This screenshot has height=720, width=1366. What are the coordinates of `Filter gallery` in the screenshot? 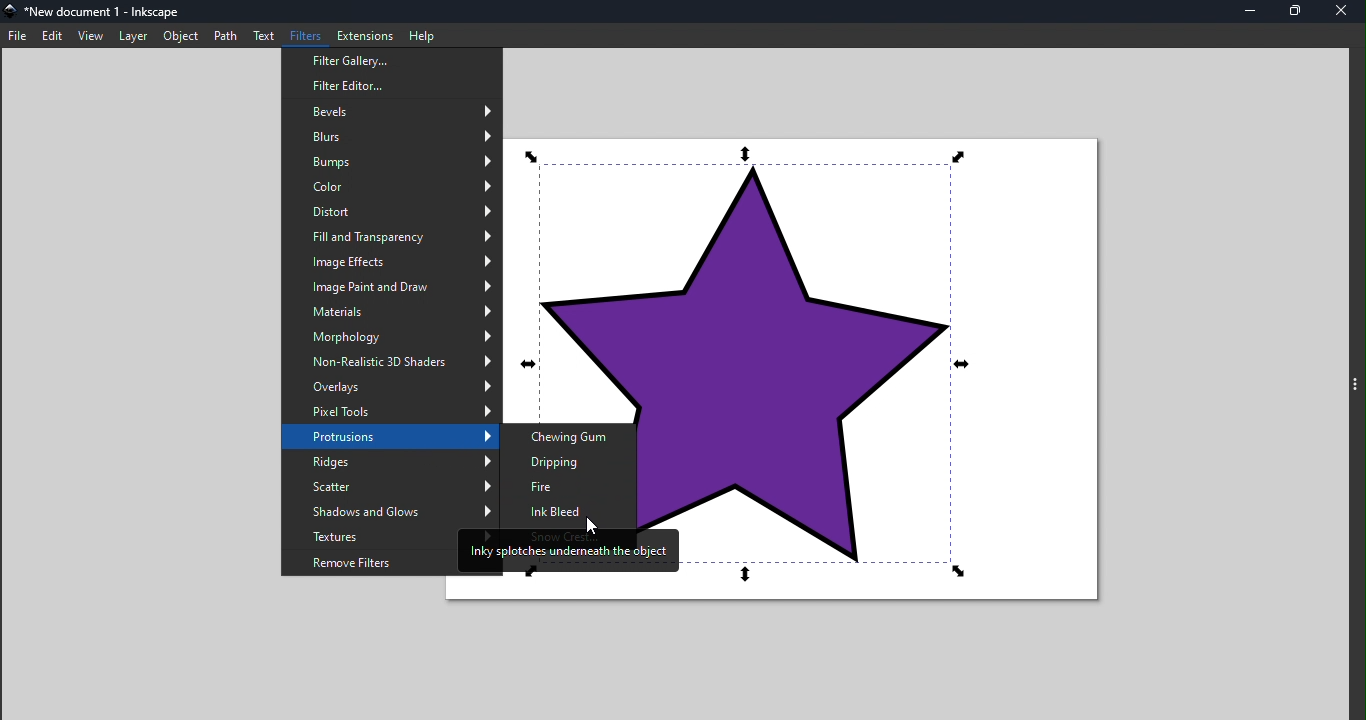 It's located at (390, 62).